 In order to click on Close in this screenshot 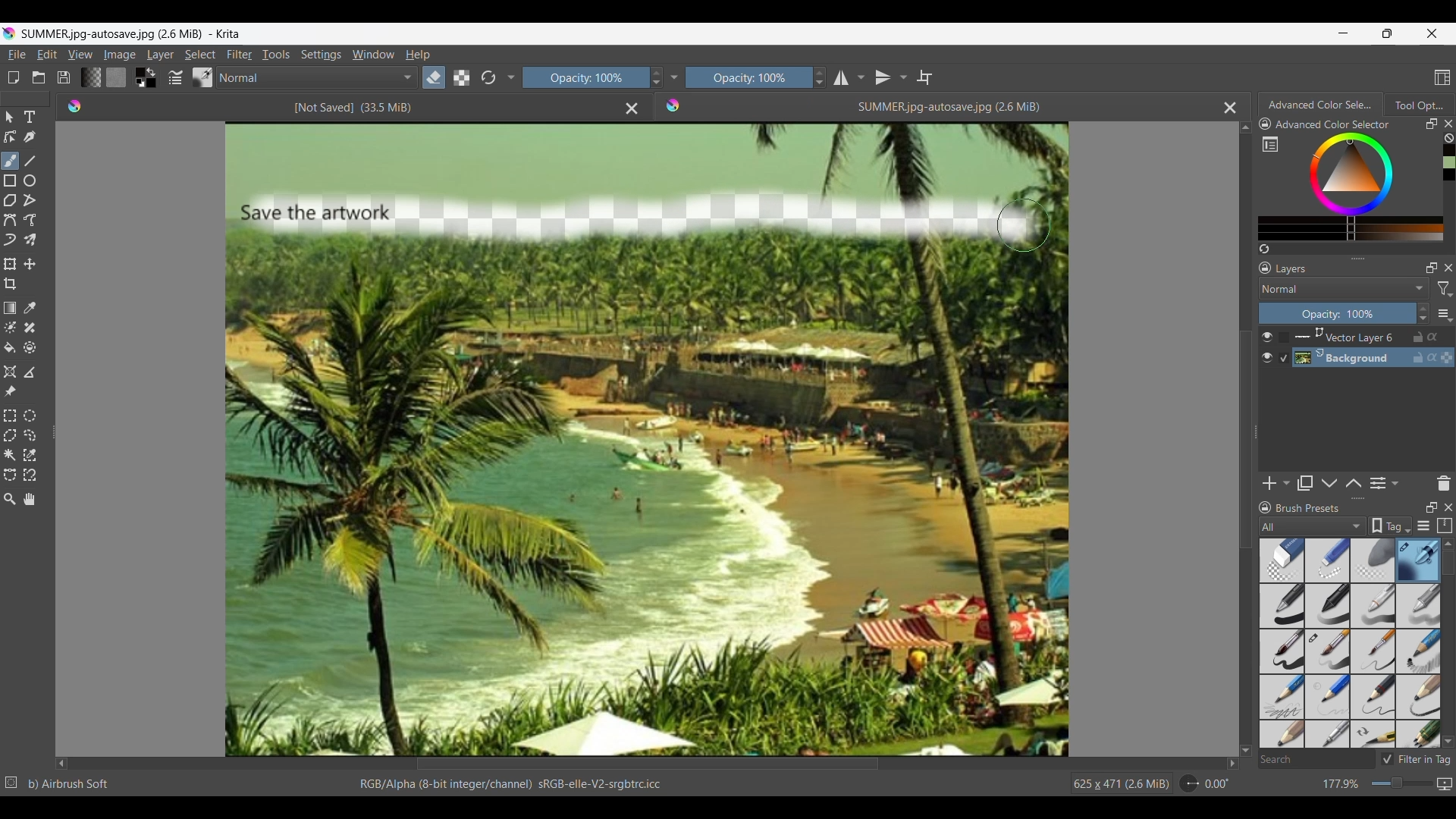, I will do `click(632, 109)`.